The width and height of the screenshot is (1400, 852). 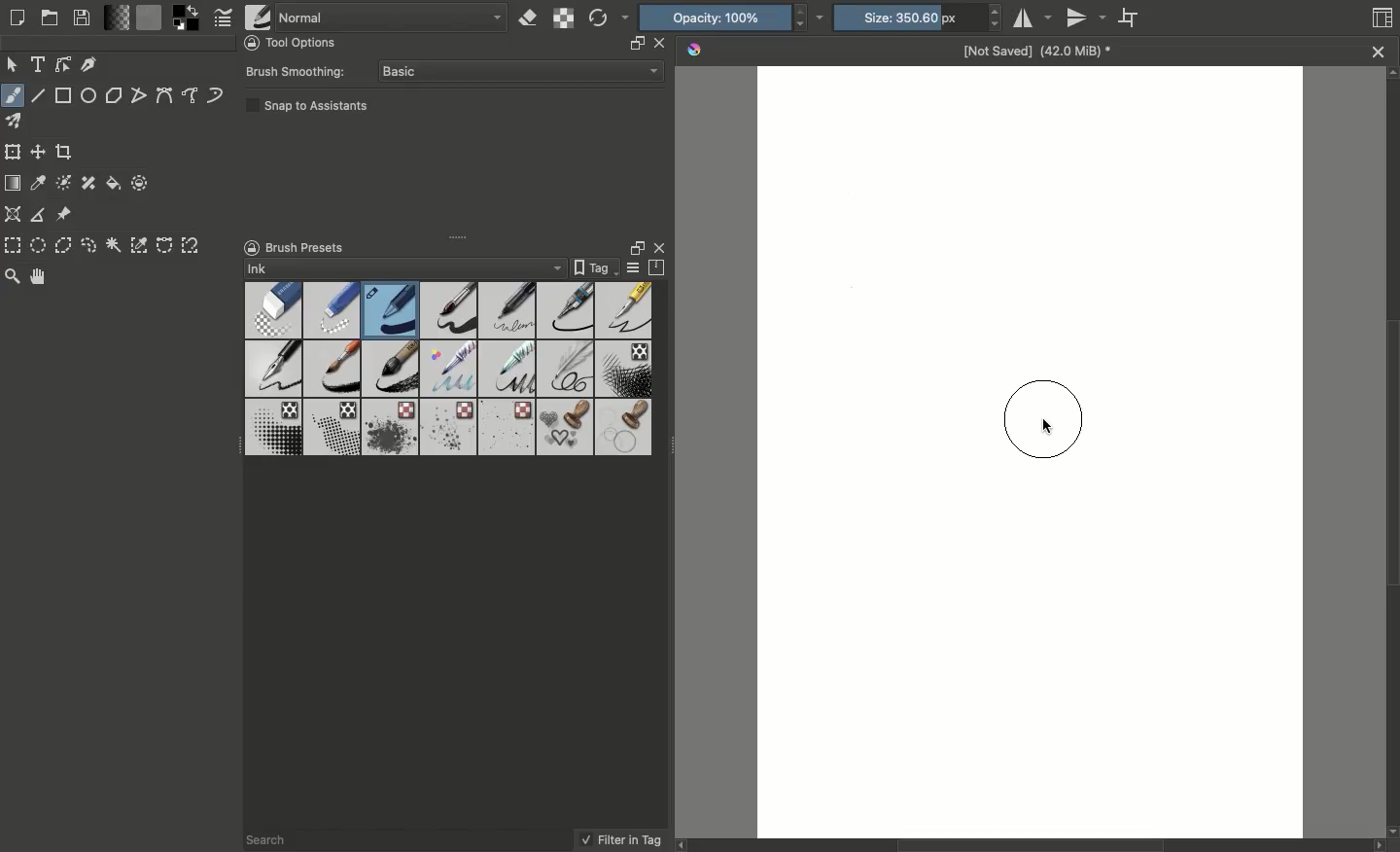 What do you see at coordinates (300, 72) in the screenshot?
I see `Brush smoothing` at bounding box center [300, 72].